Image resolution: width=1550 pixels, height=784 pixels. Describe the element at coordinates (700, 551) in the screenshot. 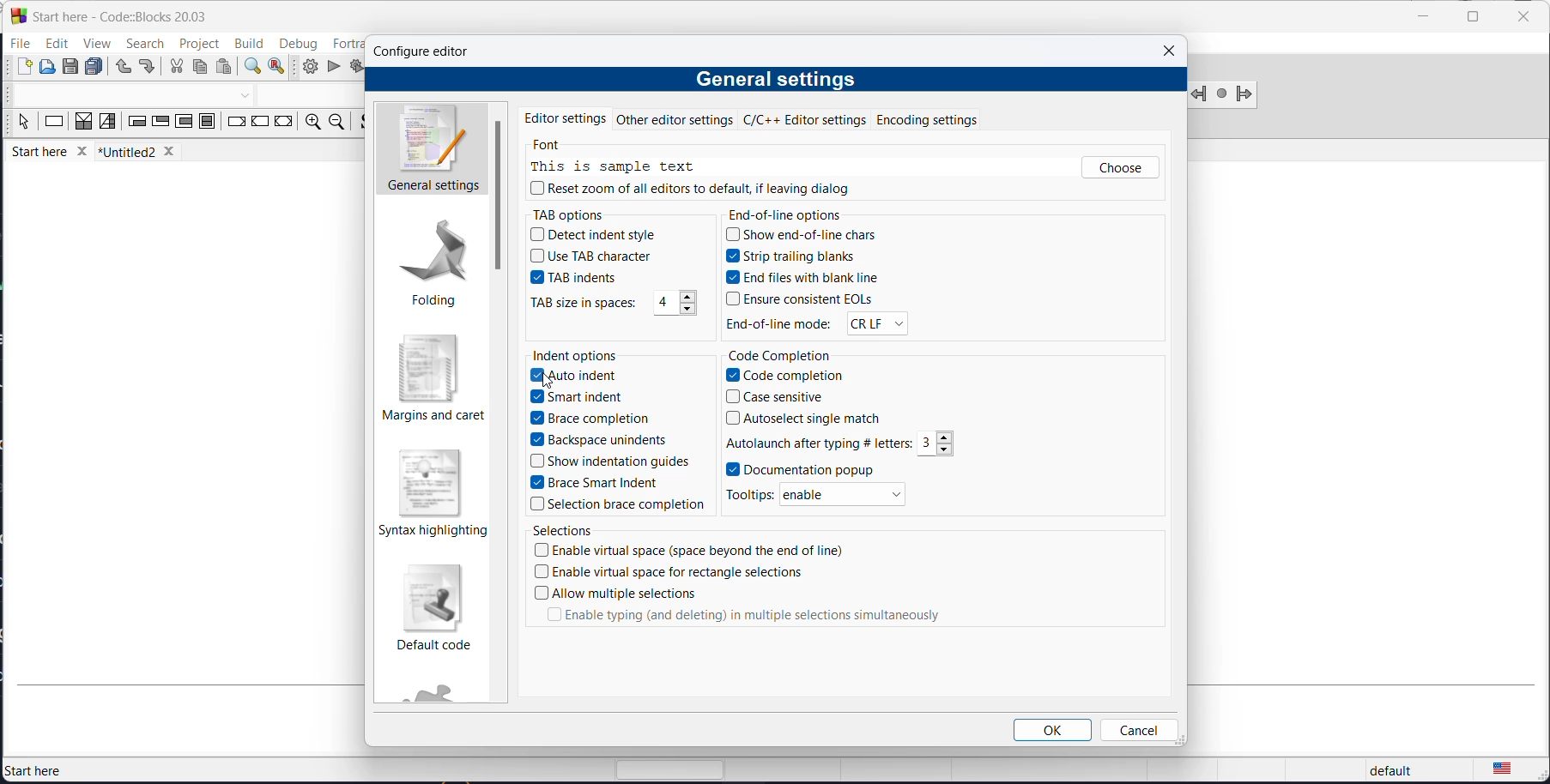

I see `enable virtual space` at that location.